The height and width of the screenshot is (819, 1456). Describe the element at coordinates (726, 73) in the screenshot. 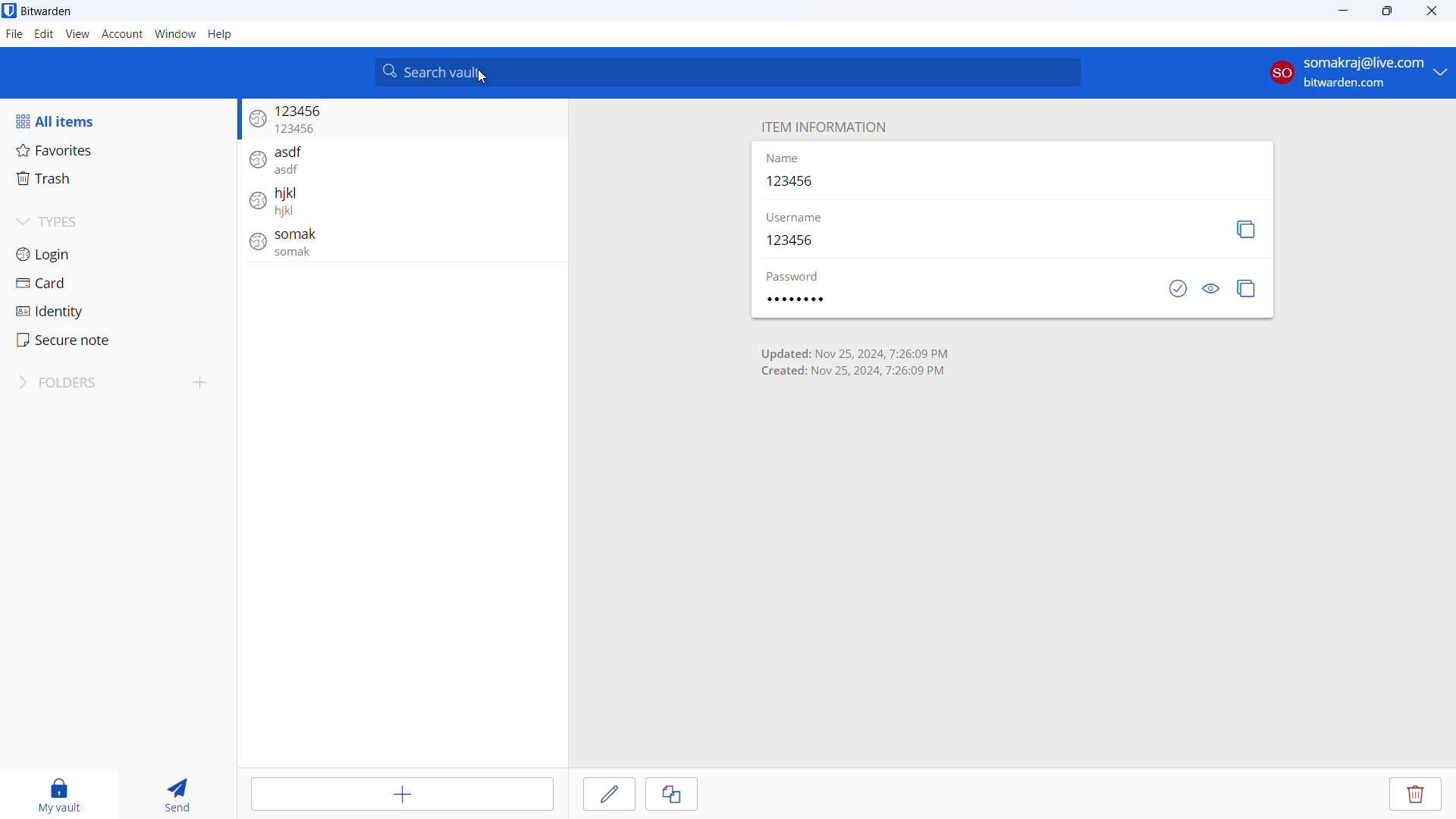

I see `search vault` at that location.